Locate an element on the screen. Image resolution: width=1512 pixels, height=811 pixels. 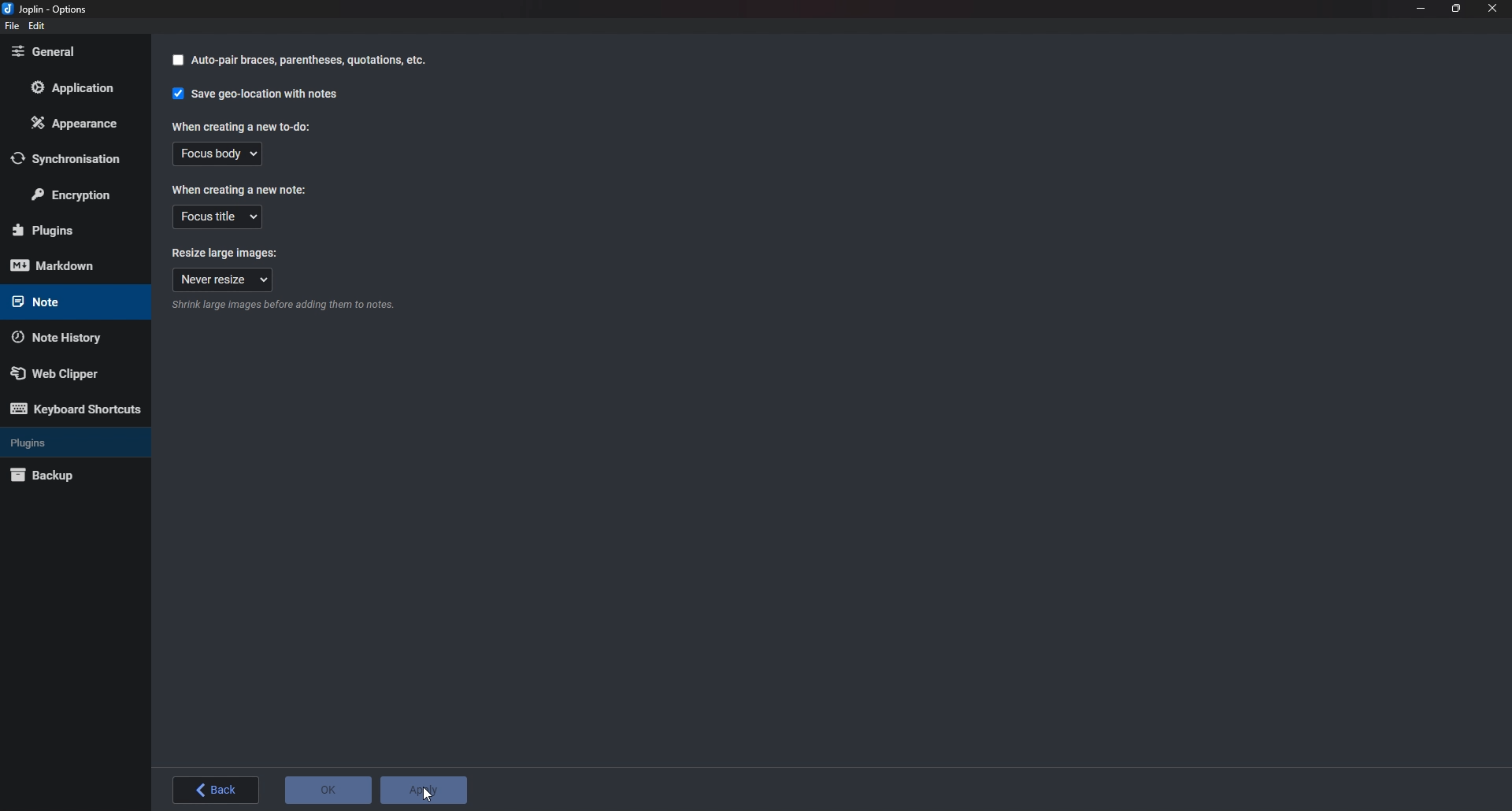
auto pair braces panthesis quotation is located at coordinates (298, 61).